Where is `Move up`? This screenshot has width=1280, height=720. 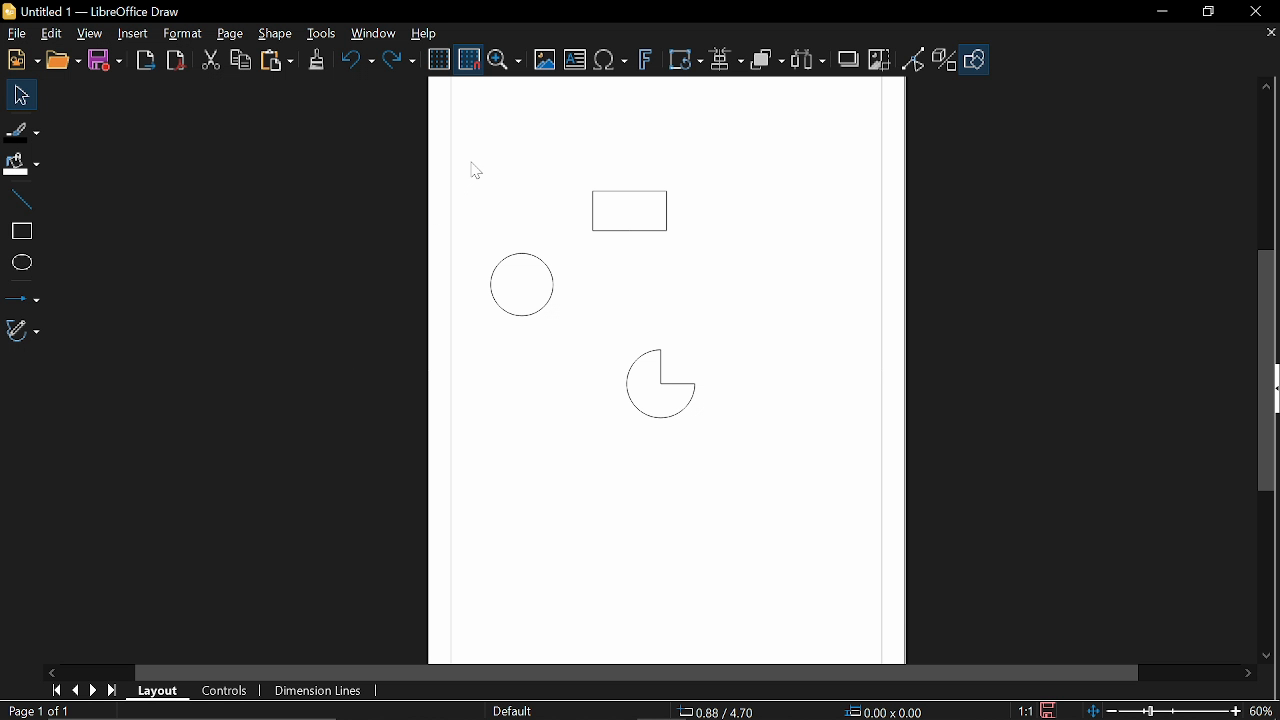
Move up is located at coordinates (1268, 84).